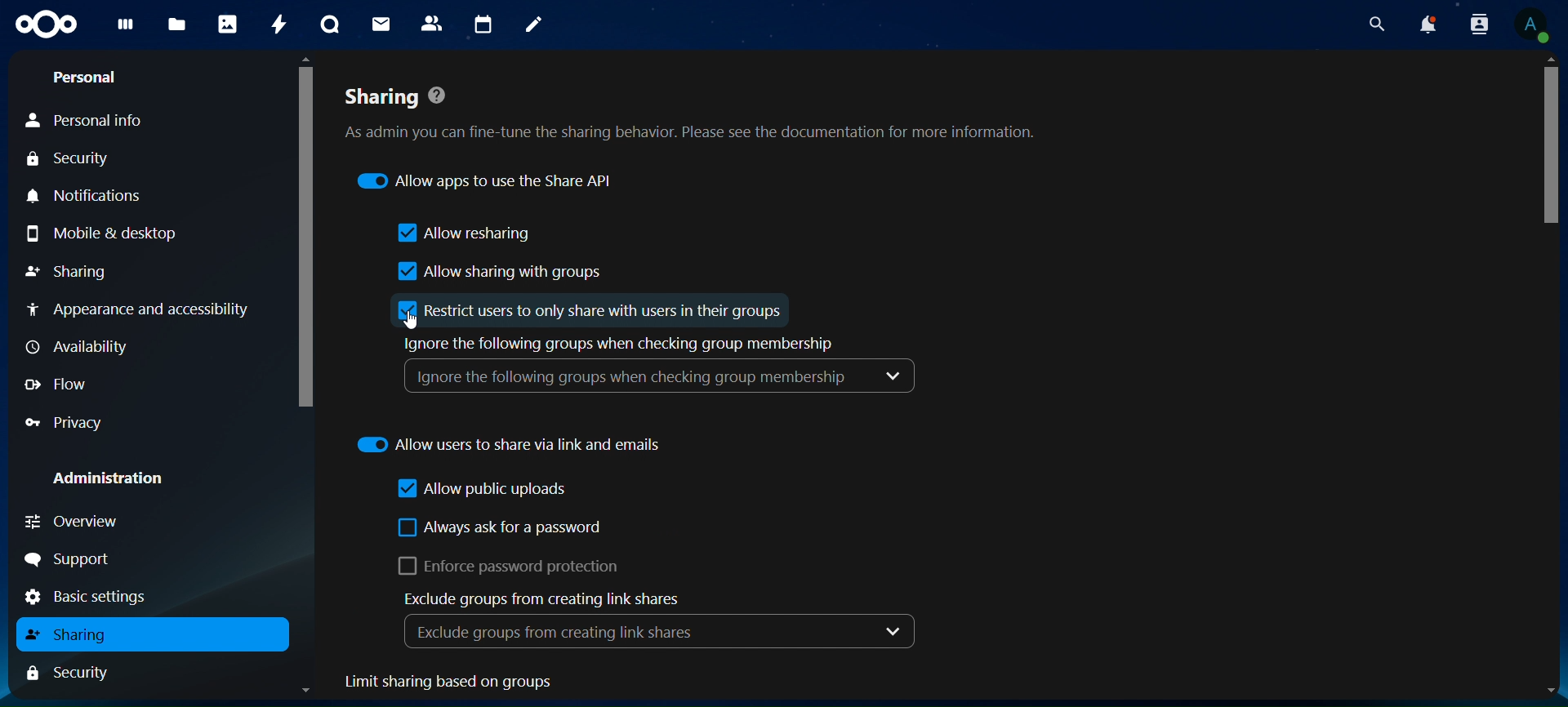  What do you see at coordinates (480, 490) in the screenshot?
I see `allow public uploads` at bounding box center [480, 490].